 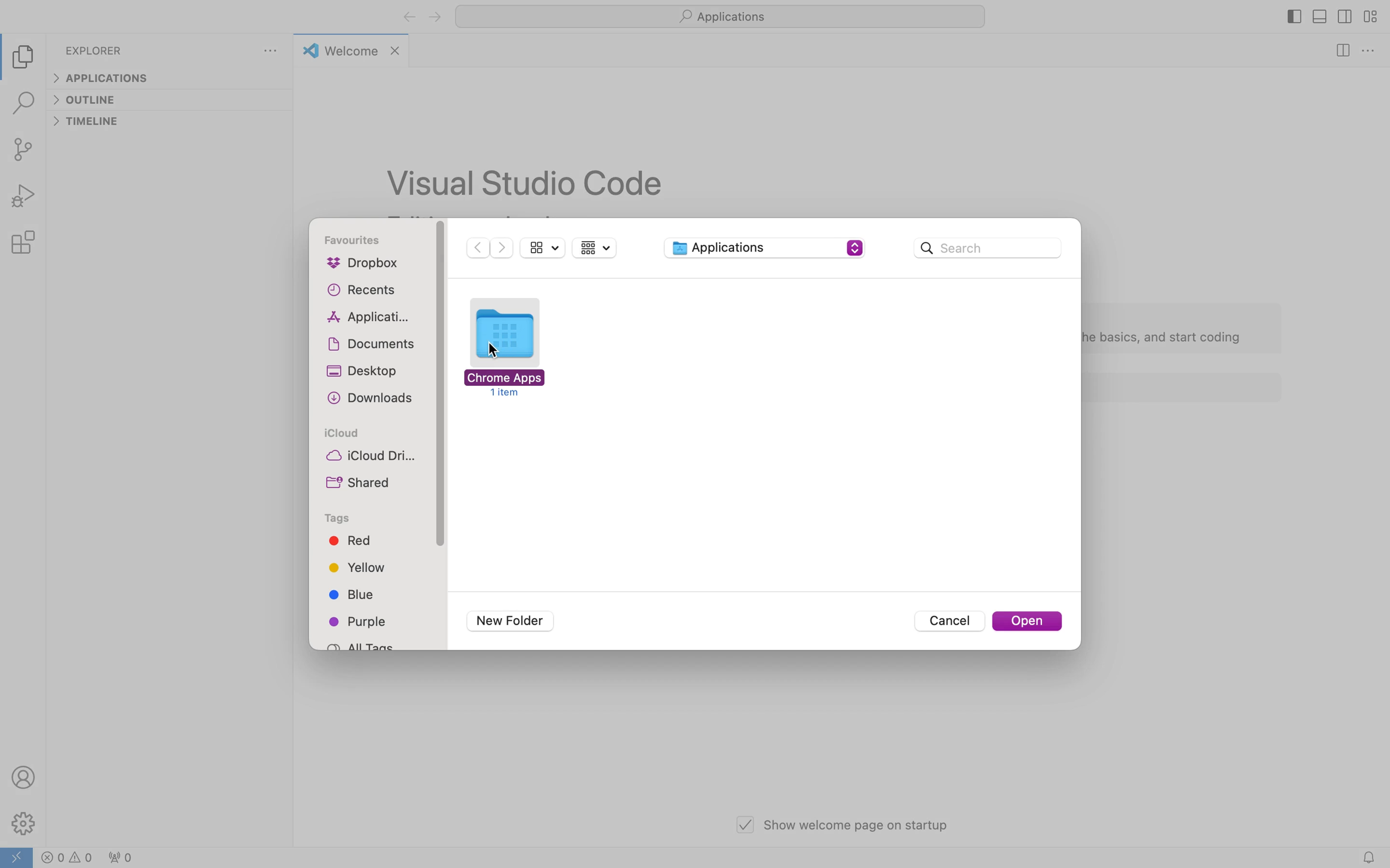 What do you see at coordinates (350, 541) in the screenshot?
I see `red tag` at bounding box center [350, 541].